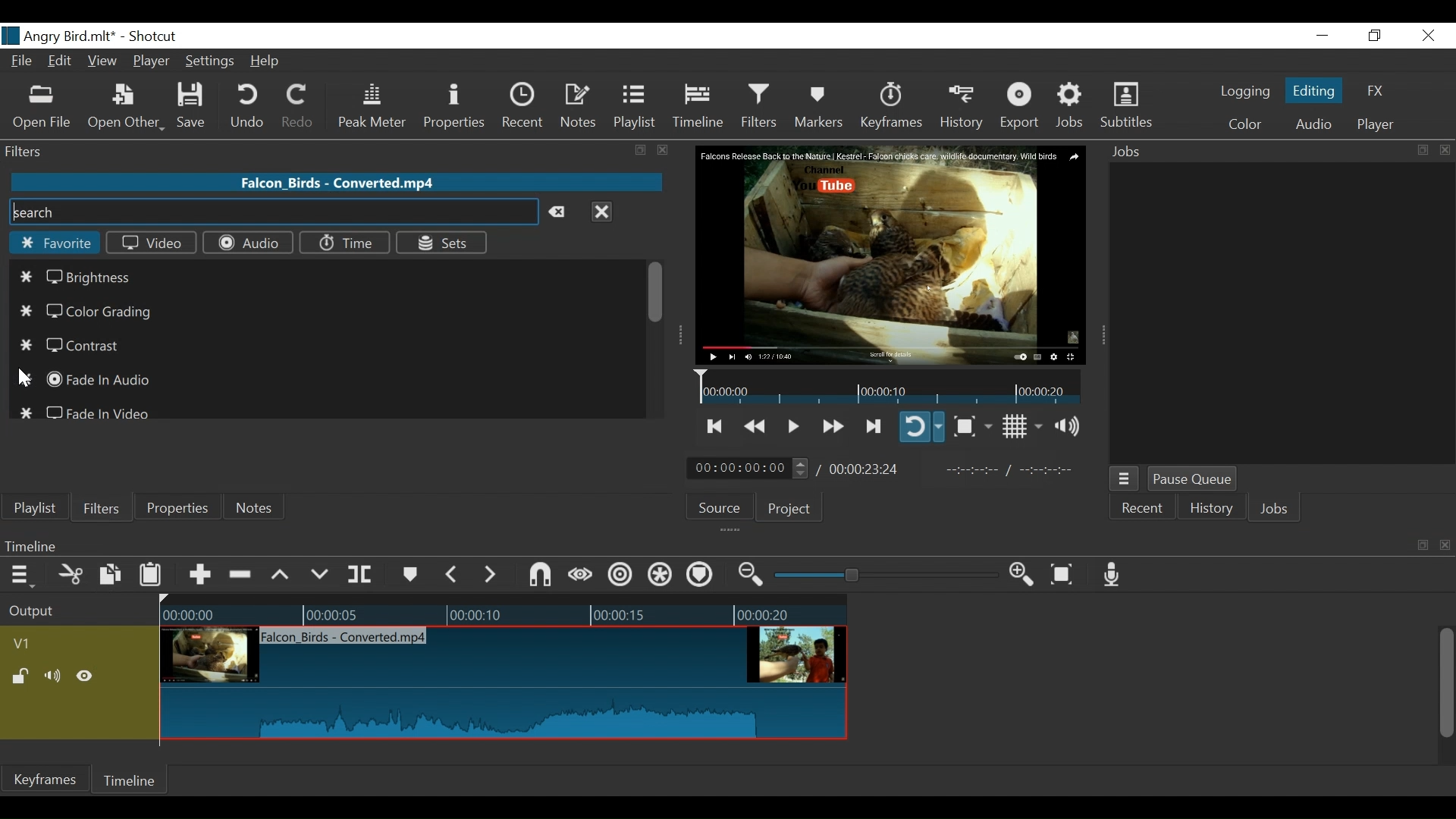 This screenshot has height=819, width=1456. I want to click on Playlist menu, so click(24, 472).